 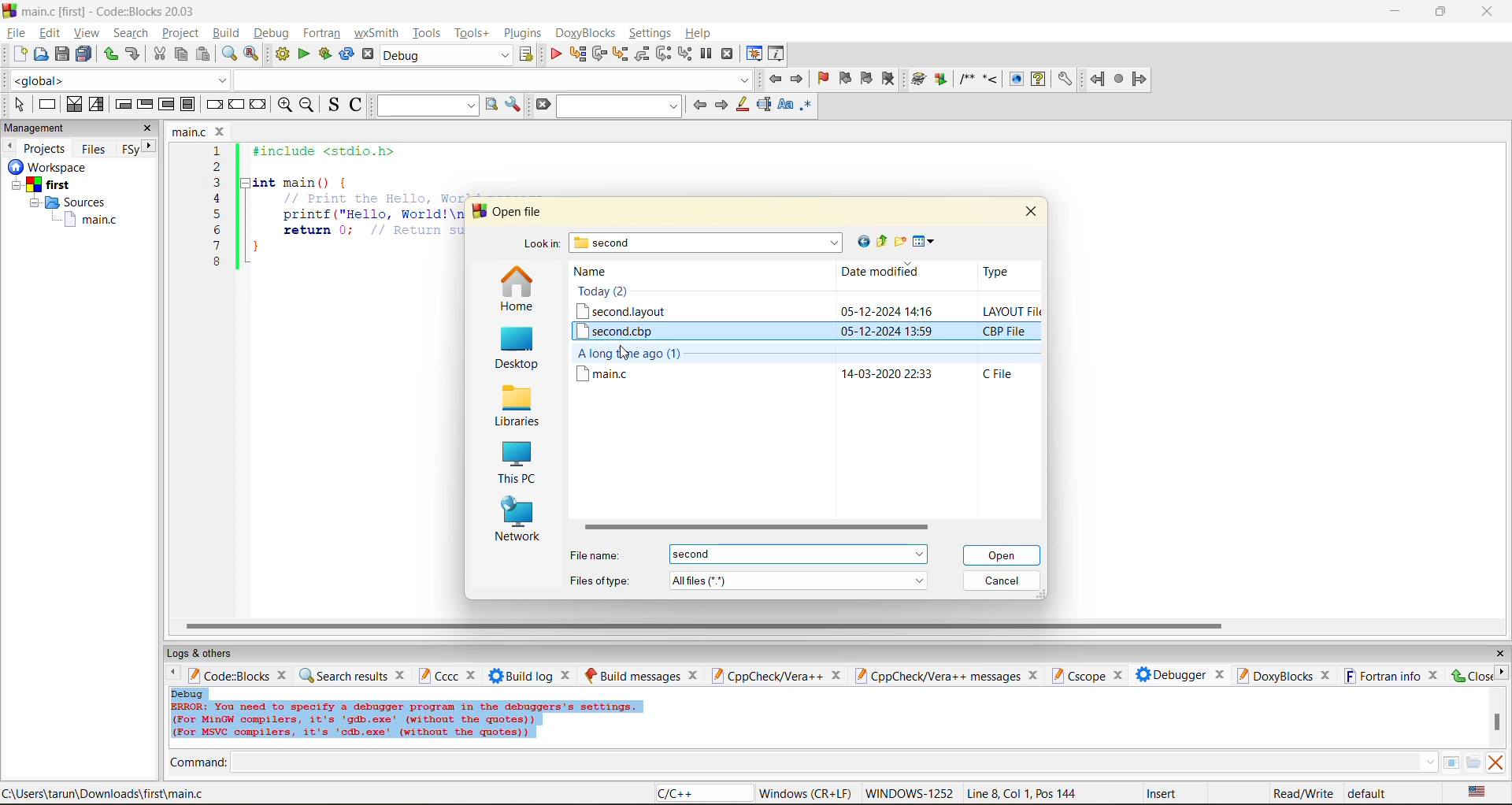 What do you see at coordinates (1002, 582) in the screenshot?
I see `cancel` at bounding box center [1002, 582].